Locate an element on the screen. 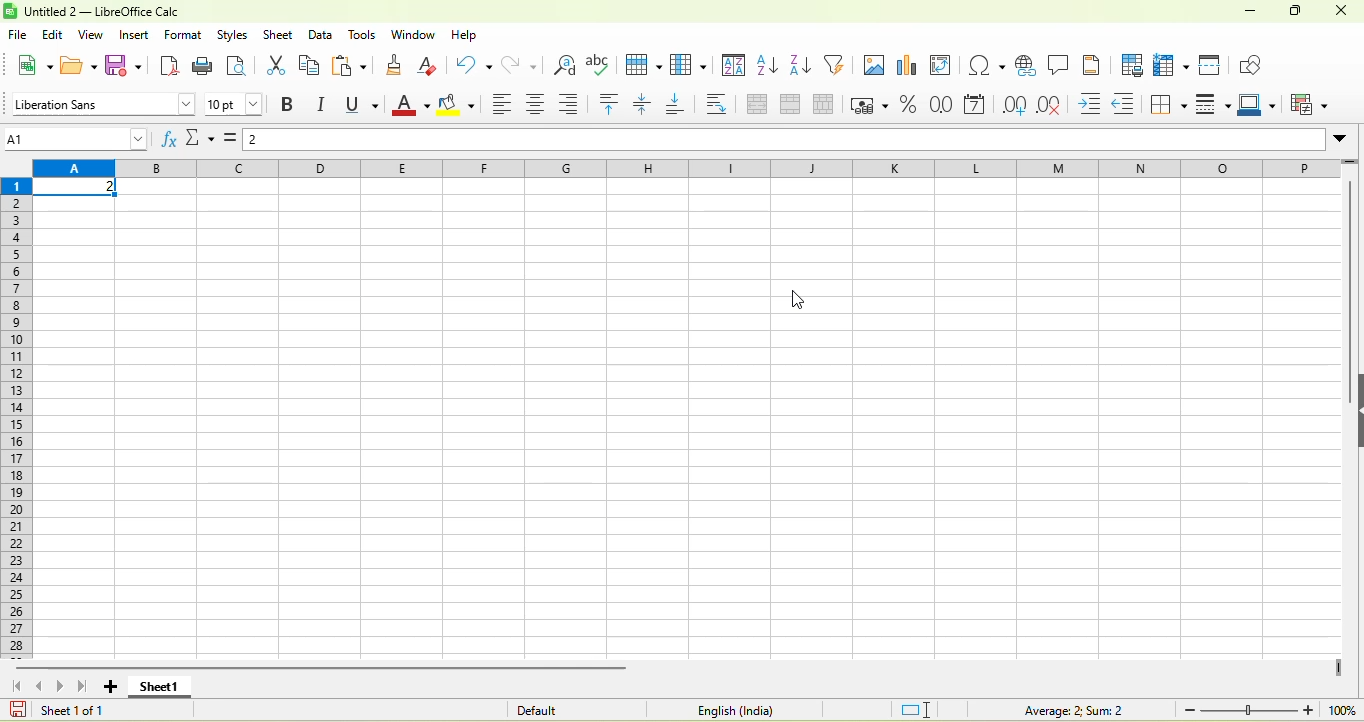 The height and width of the screenshot is (722, 1364). formula is located at coordinates (1068, 709).